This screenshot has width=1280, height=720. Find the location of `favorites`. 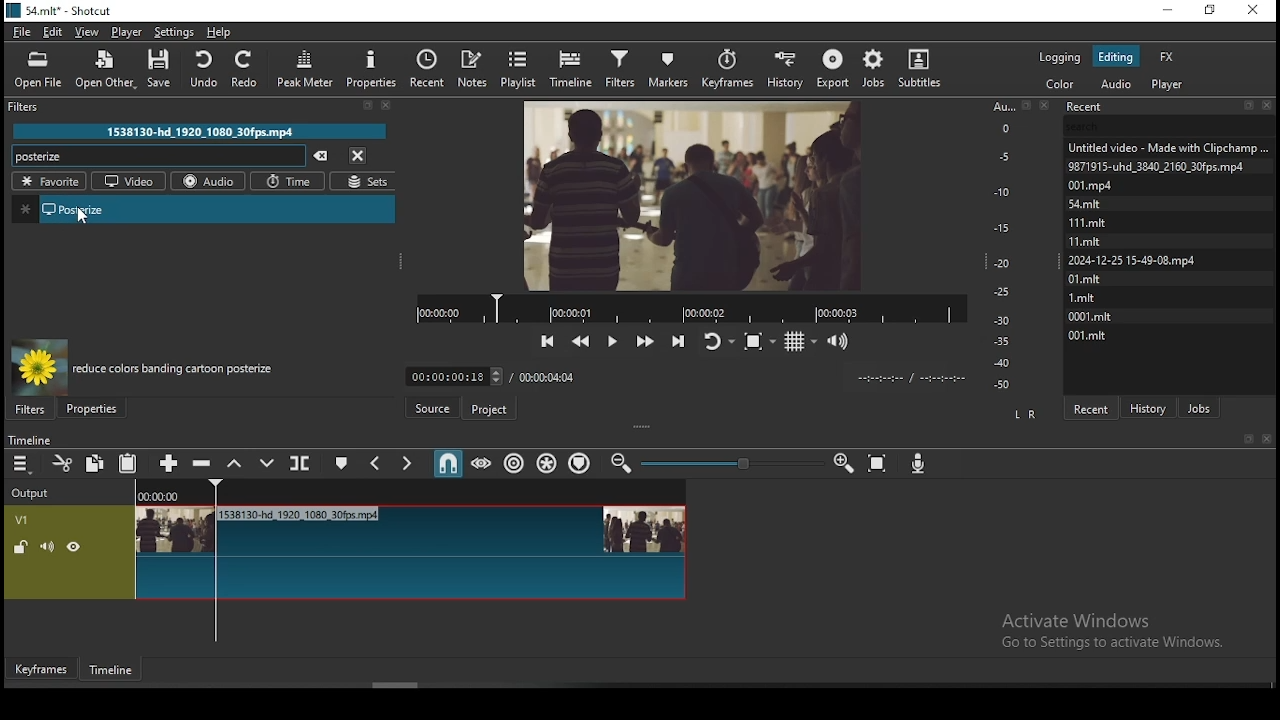

favorites is located at coordinates (51, 182).